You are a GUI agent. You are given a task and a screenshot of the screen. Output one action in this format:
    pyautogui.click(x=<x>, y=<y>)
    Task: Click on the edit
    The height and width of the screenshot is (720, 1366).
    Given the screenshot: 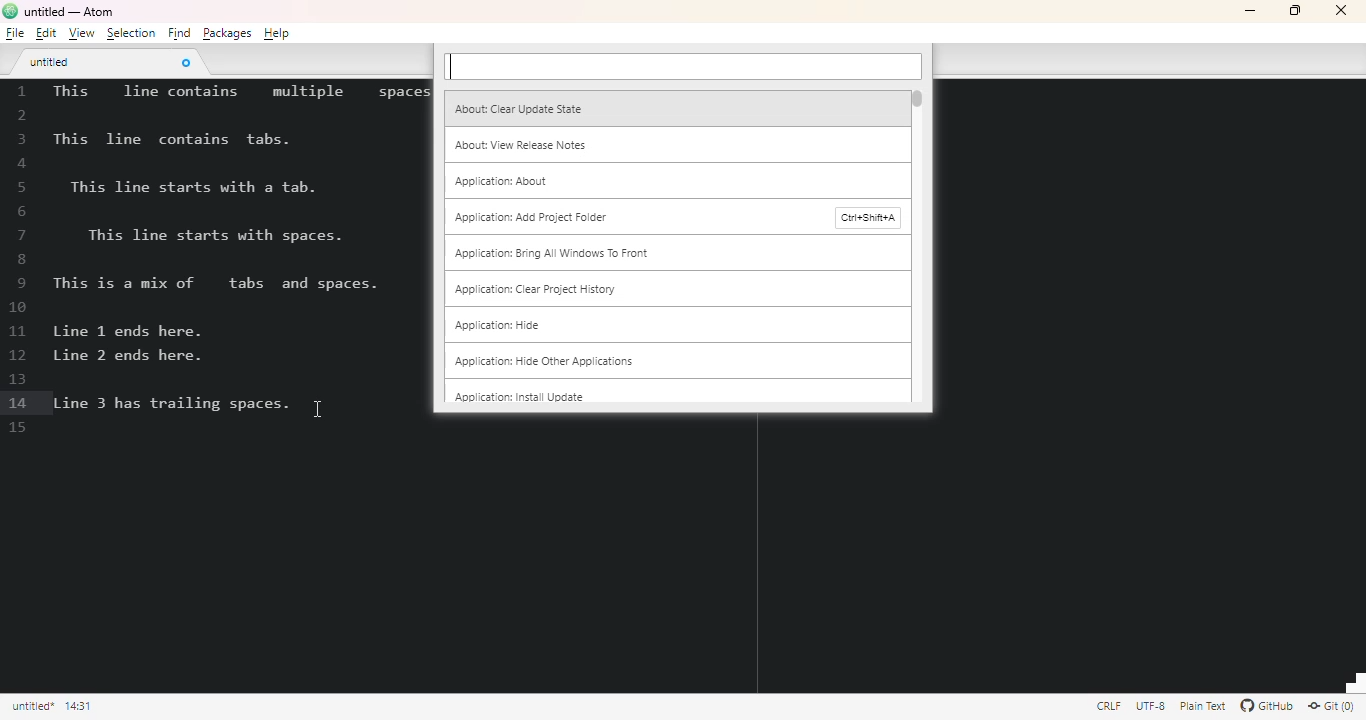 What is the action you would take?
    pyautogui.click(x=45, y=33)
    